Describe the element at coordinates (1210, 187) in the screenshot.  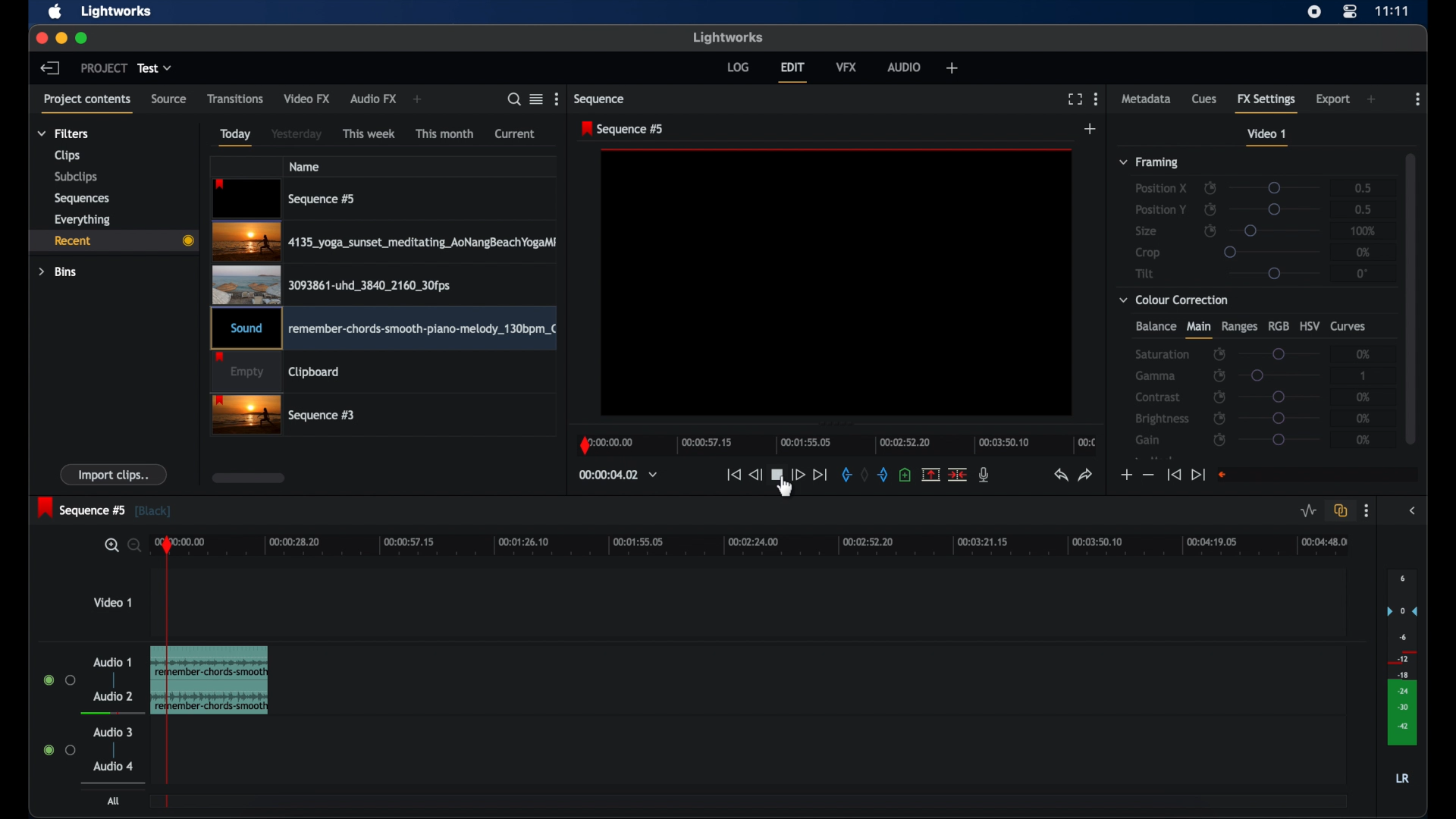
I see `enable/disable keyframes` at that location.